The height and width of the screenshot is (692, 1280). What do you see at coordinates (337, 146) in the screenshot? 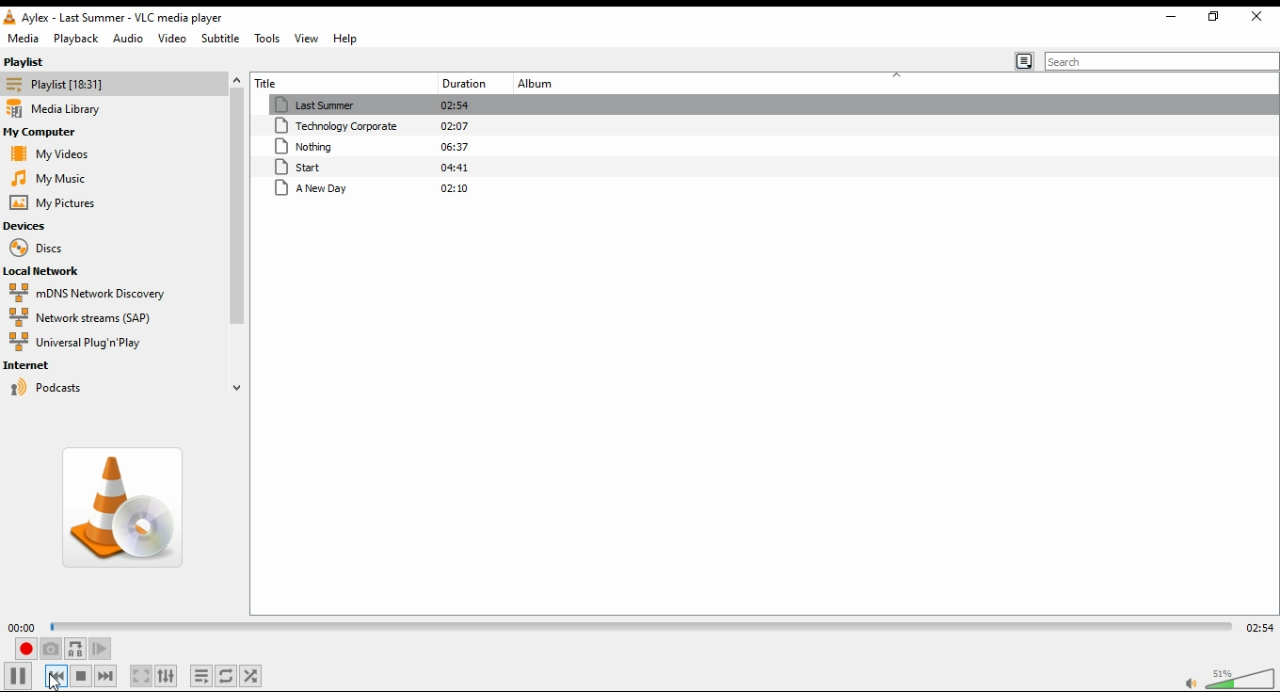
I see `nothing` at bounding box center [337, 146].